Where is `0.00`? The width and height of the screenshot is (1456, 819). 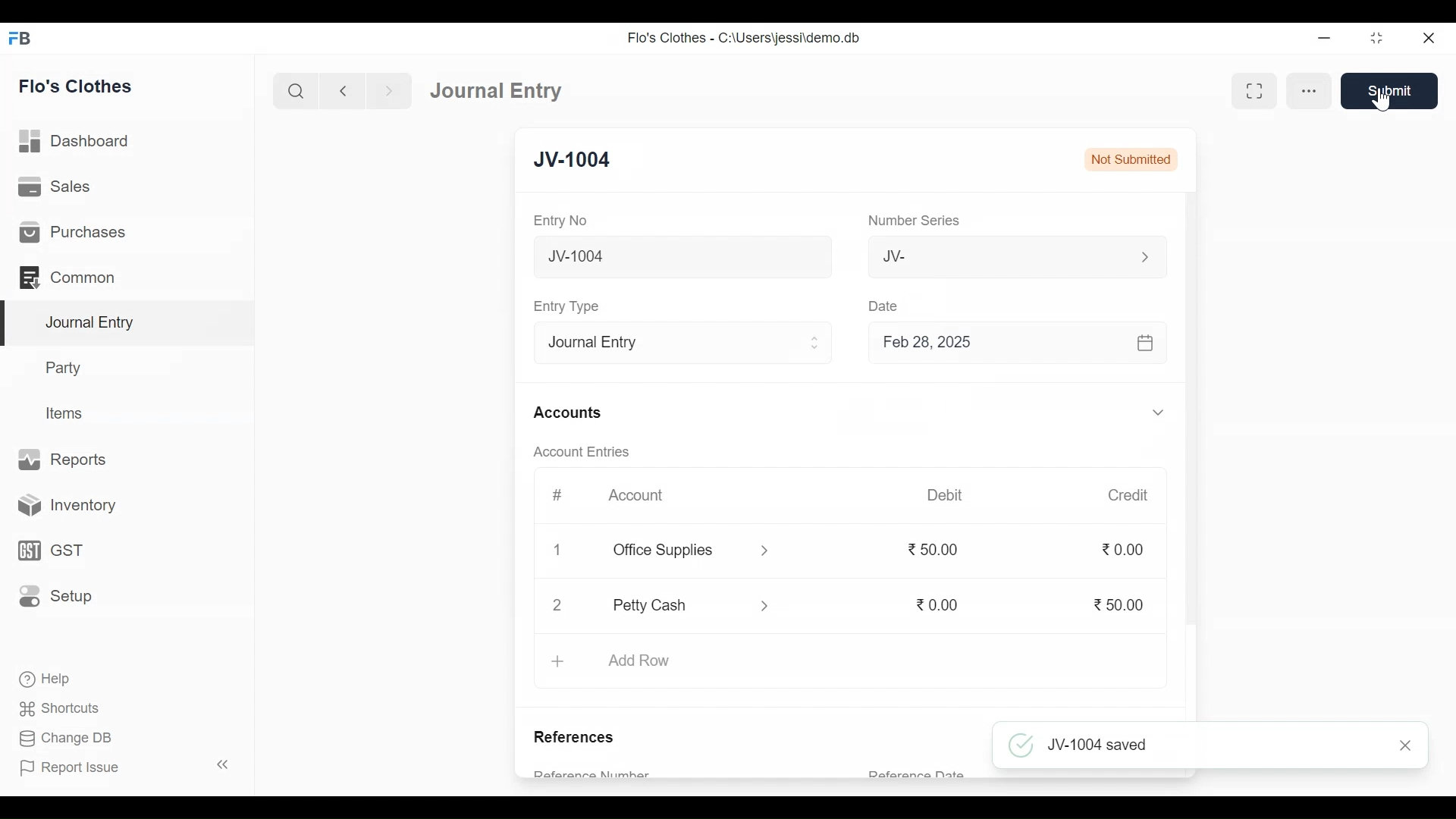
0.00 is located at coordinates (938, 604).